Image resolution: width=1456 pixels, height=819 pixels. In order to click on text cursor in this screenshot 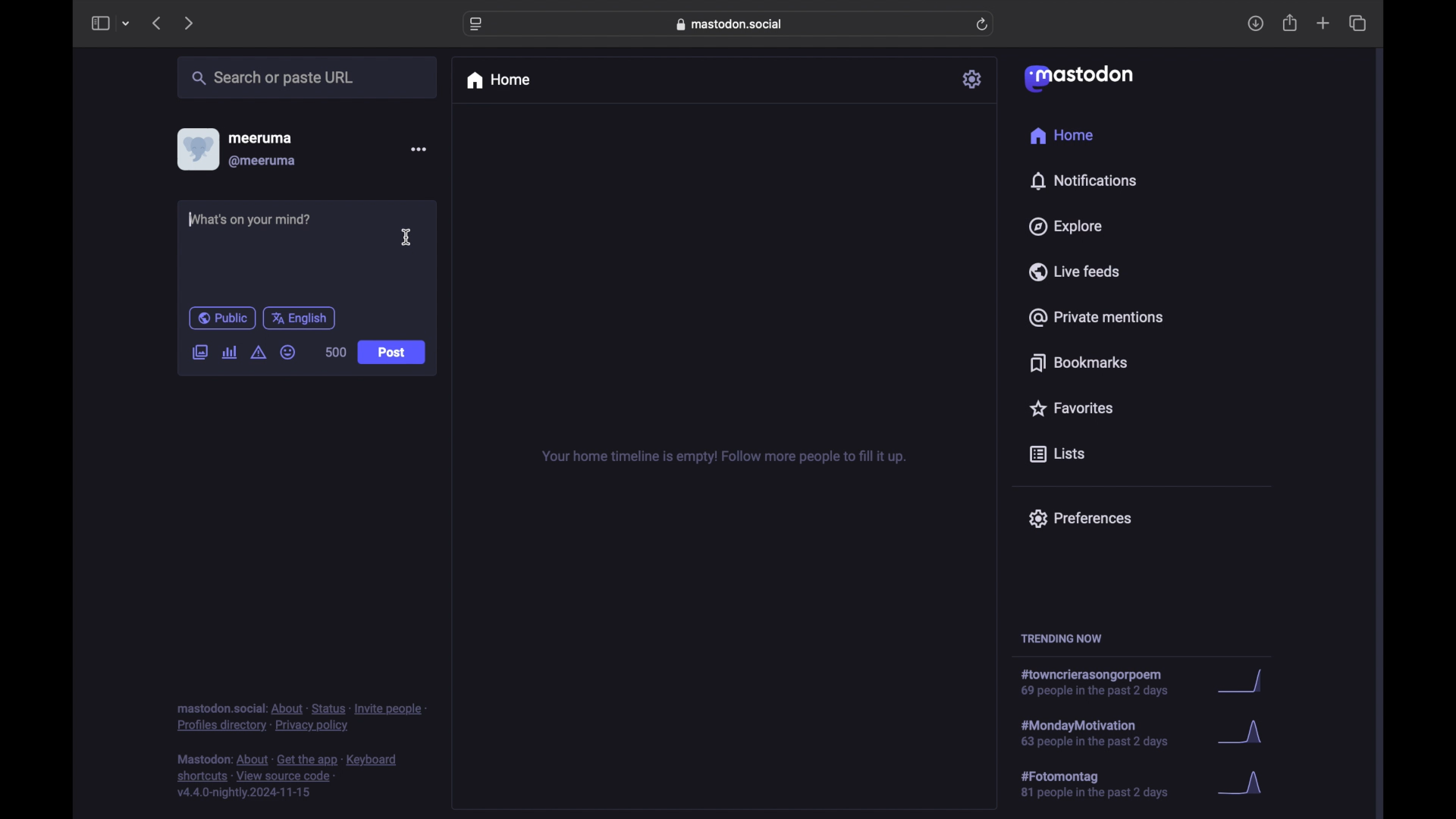, I will do `click(190, 219)`.